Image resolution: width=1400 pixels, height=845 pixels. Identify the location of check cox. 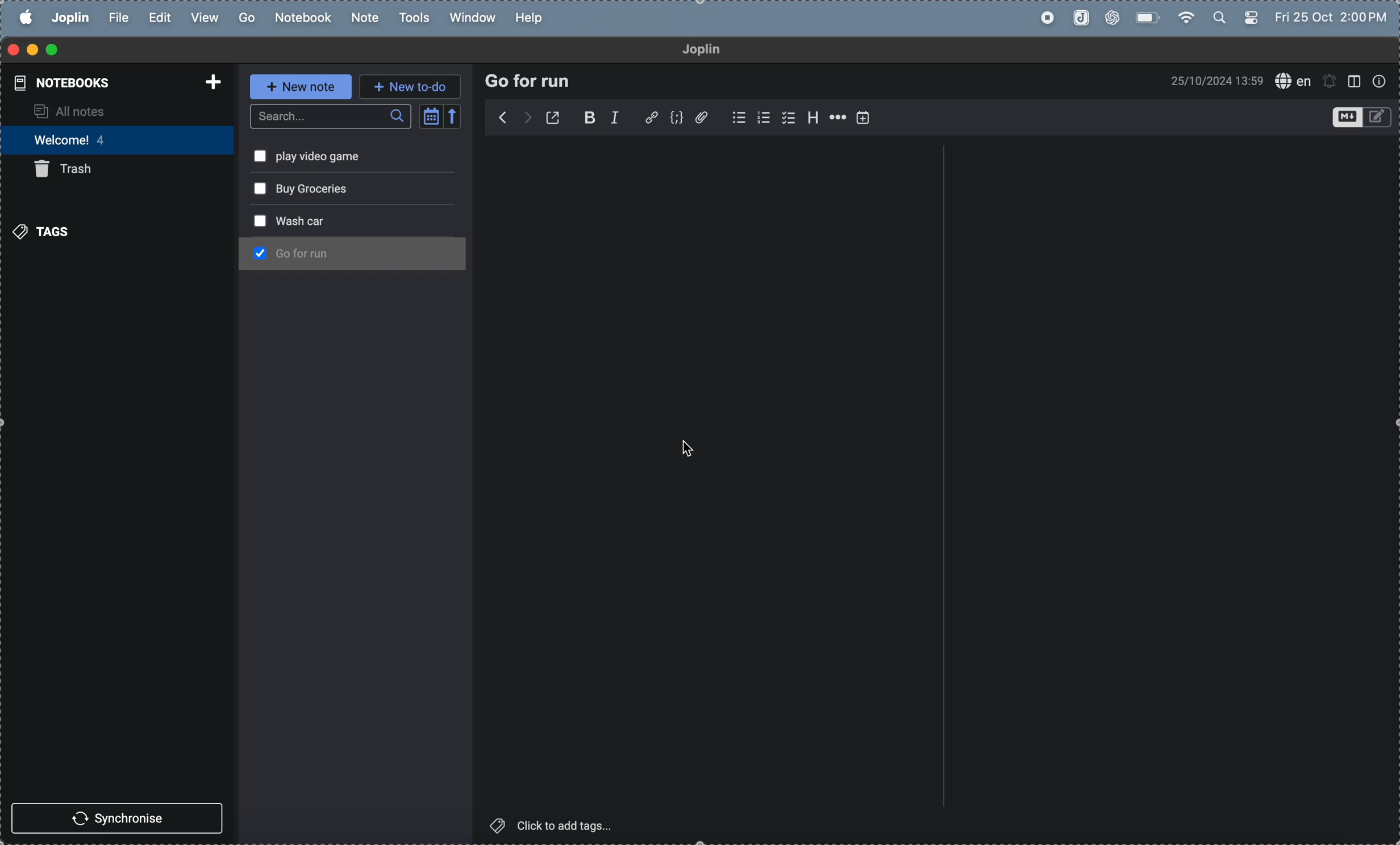
(255, 189).